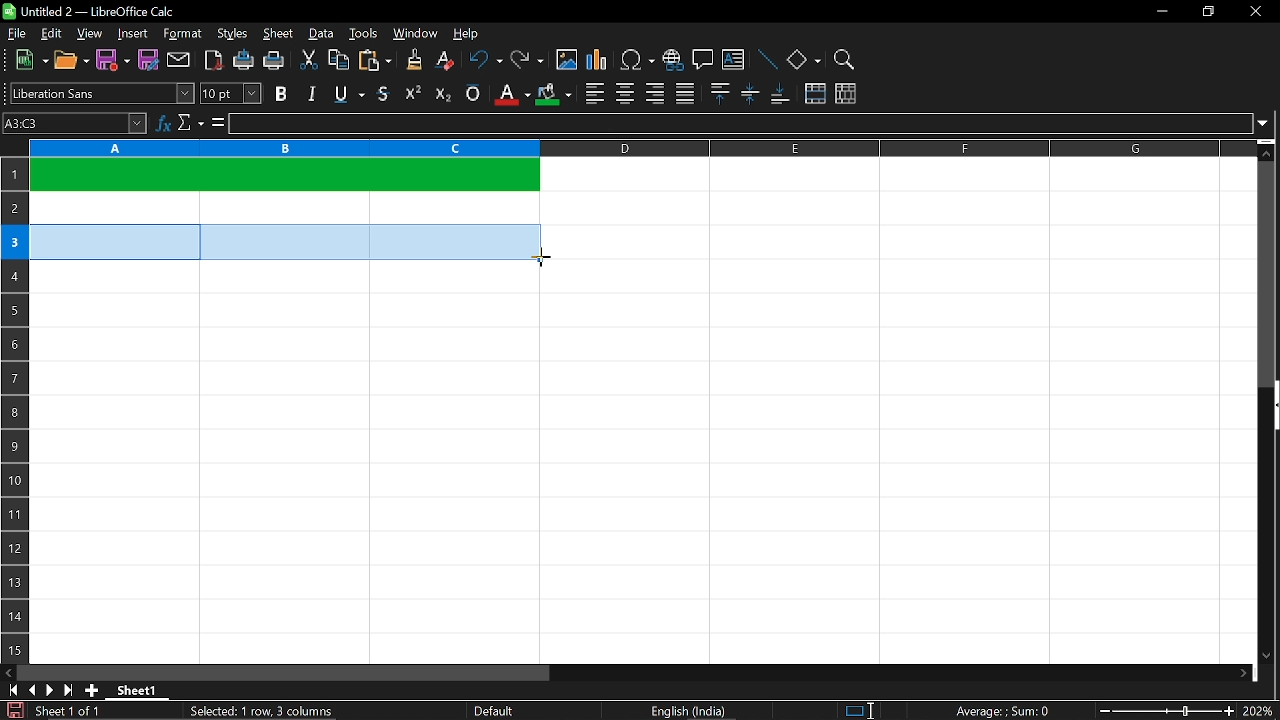  What do you see at coordinates (598, 61) in the screenshot?
I see `insert chart` at bounding box center [598, 61].